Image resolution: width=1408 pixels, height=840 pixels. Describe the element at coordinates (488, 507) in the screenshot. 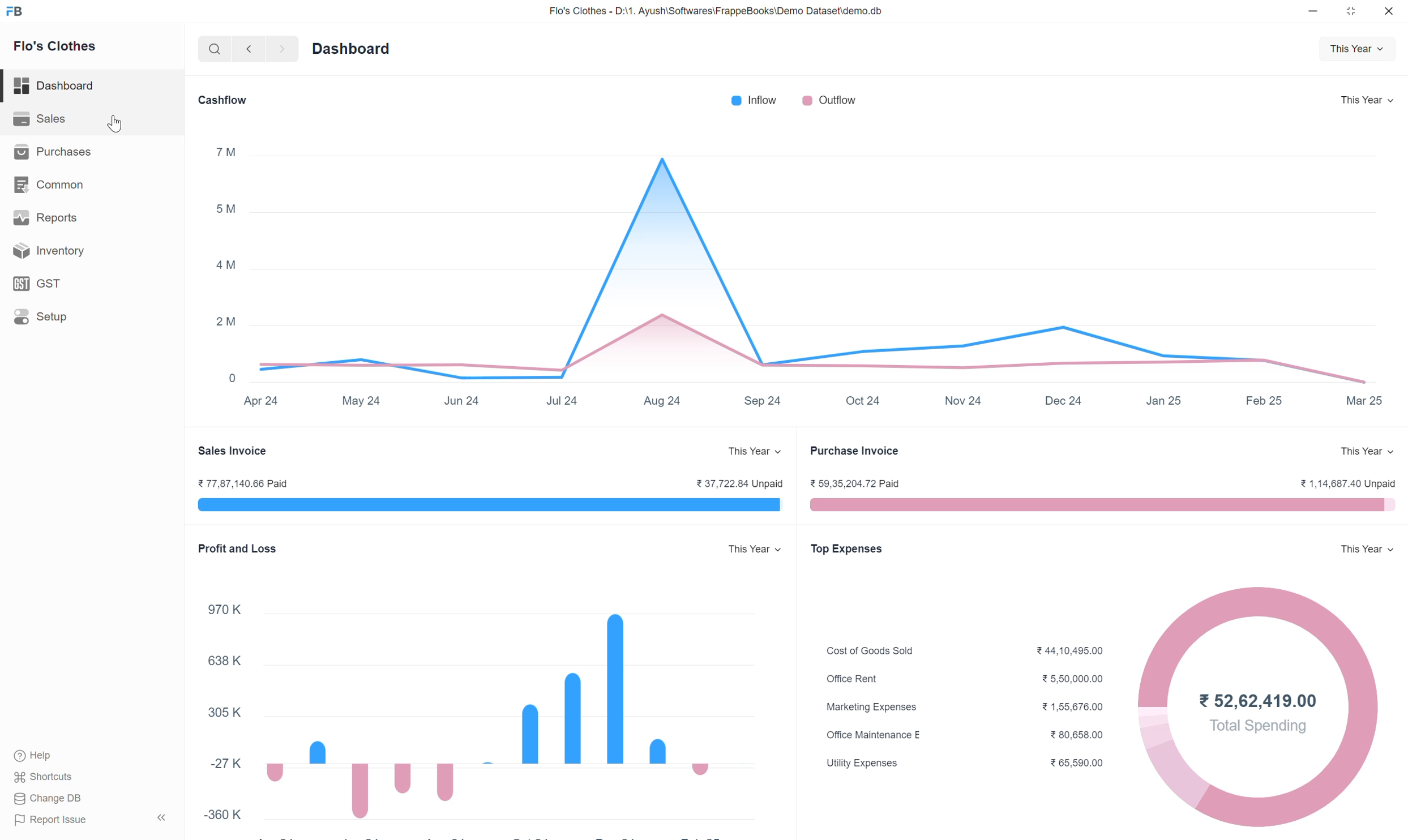

I see `blue progress bar` at that location.